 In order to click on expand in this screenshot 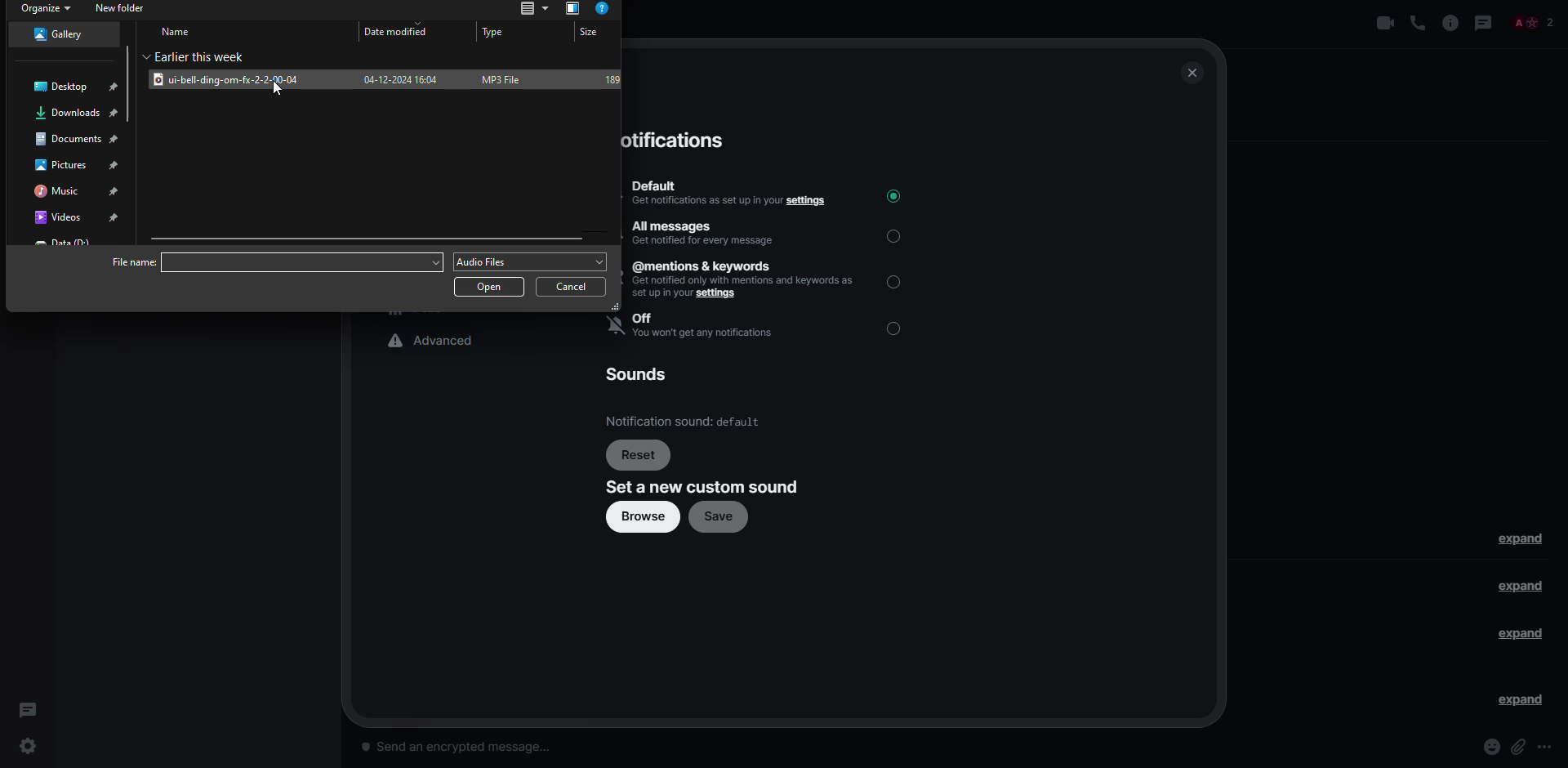, I will do `click(1516, 699)`.